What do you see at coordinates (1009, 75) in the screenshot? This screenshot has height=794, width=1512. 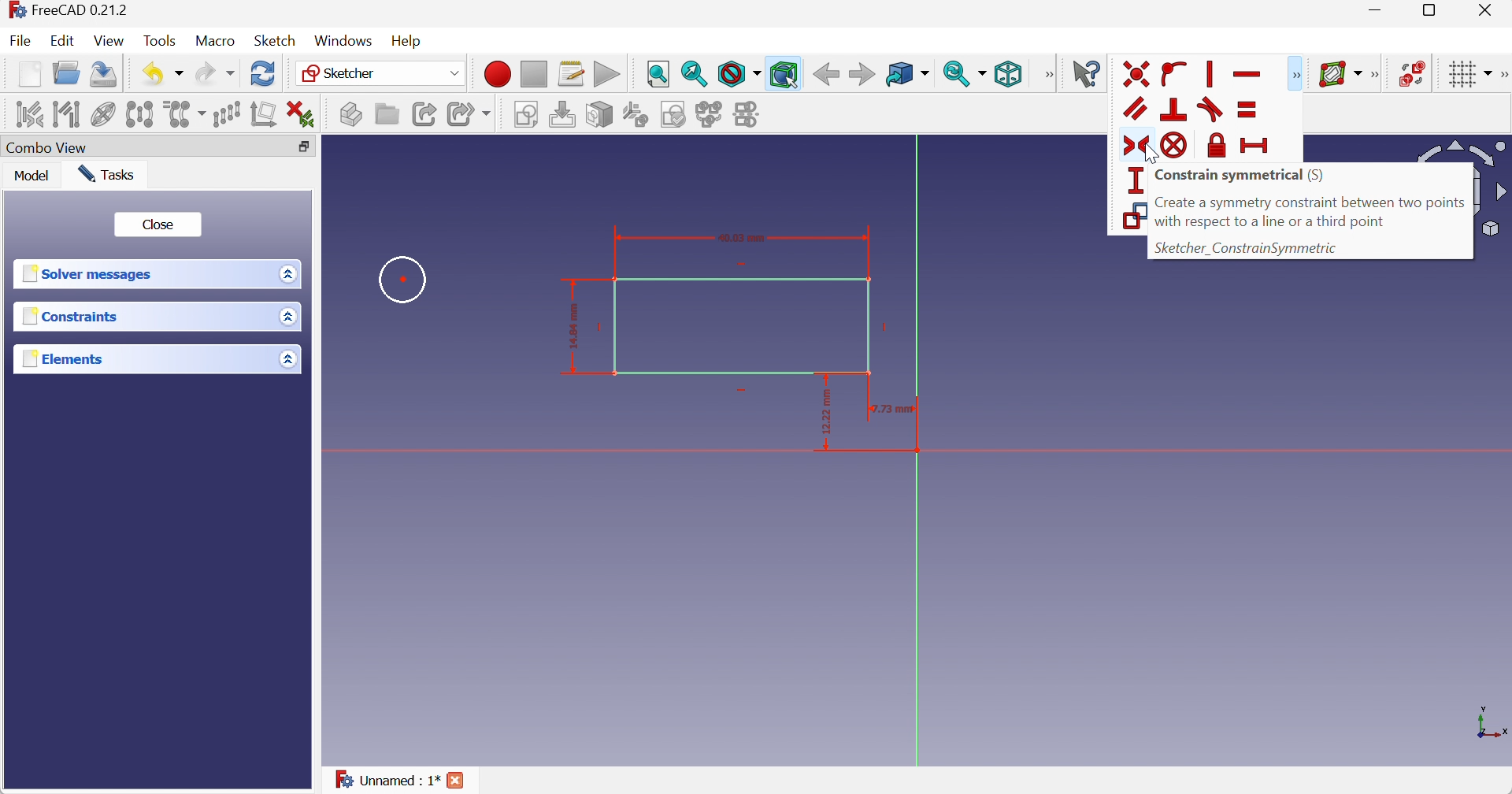 I see `Isometric` at bounding box center [1009, 75].